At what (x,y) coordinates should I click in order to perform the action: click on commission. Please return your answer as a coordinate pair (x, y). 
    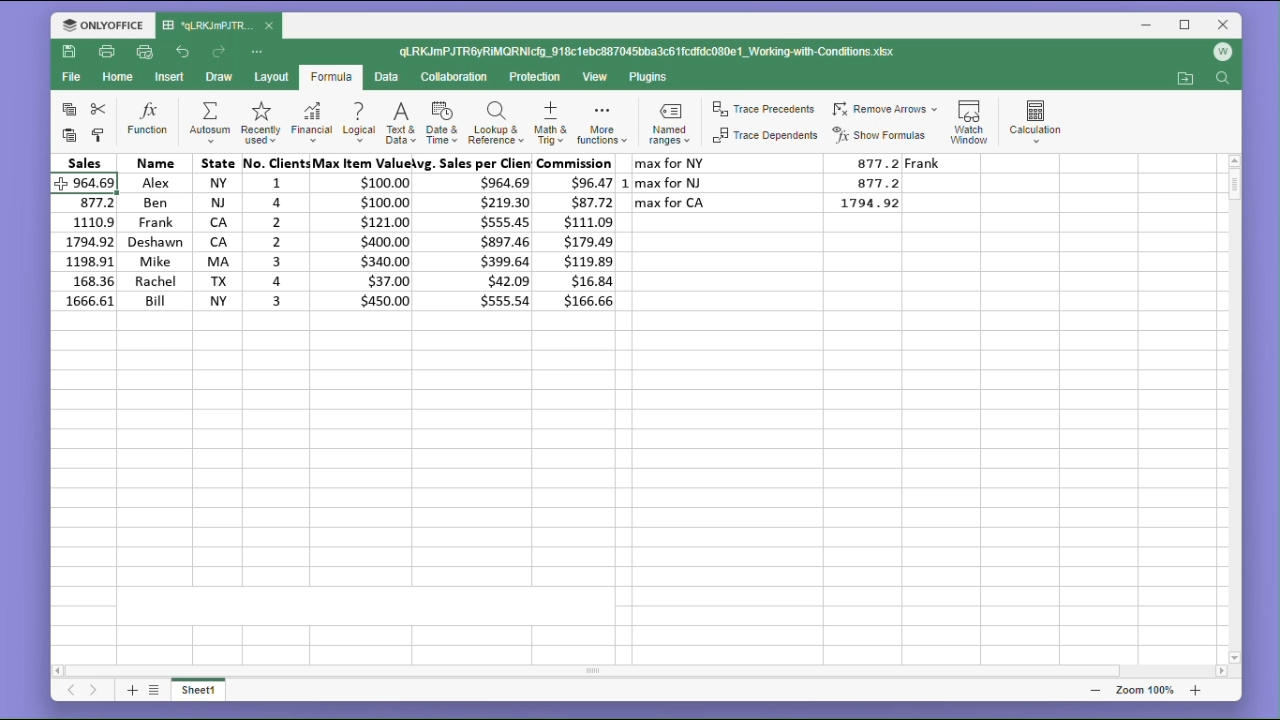
    Looking at the image, I should click on (580, 233).